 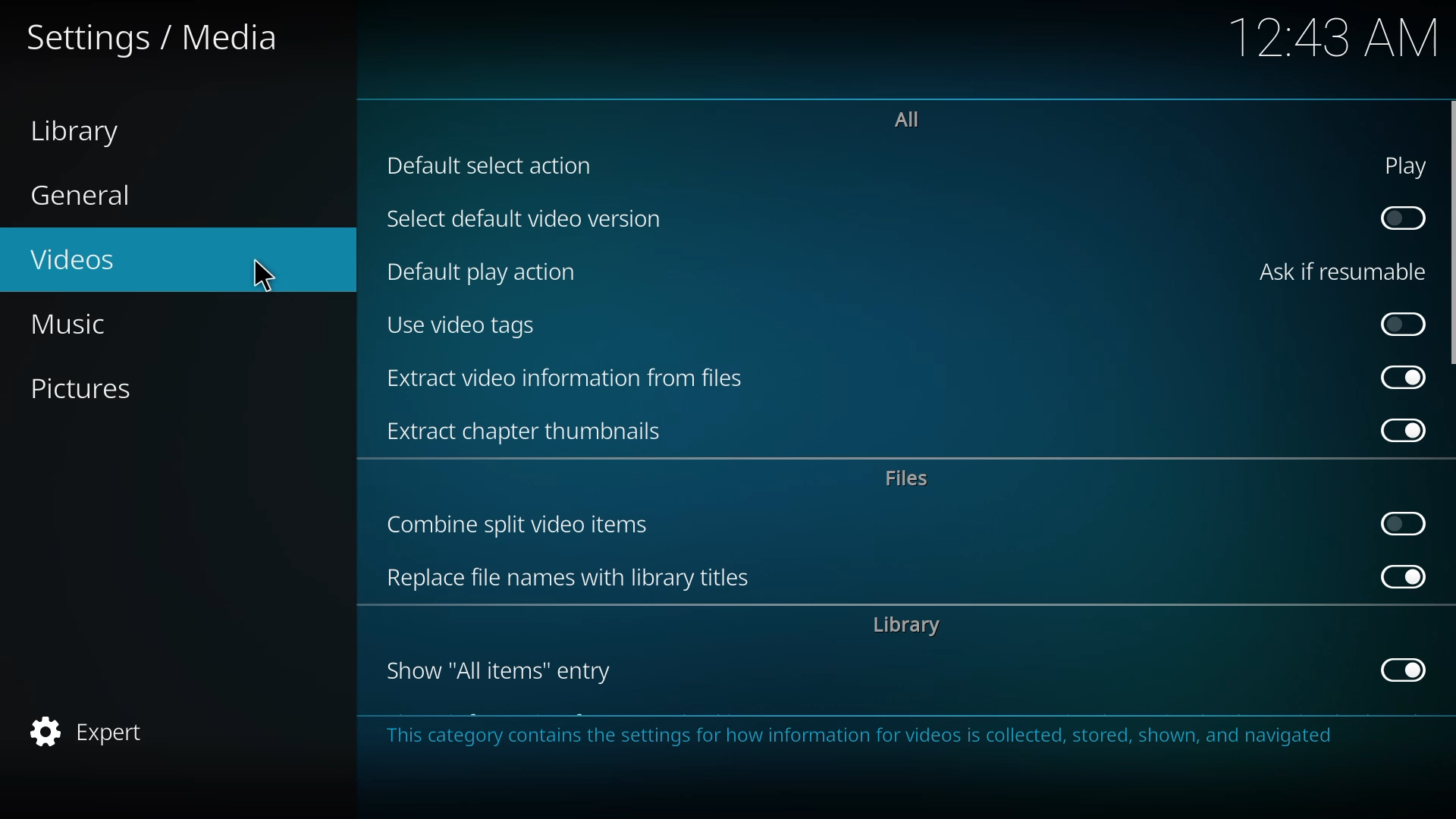 What do you see at coordinates (535, 220) in the screenshot?
I see `select default video version` at bounding box center [535, 220].